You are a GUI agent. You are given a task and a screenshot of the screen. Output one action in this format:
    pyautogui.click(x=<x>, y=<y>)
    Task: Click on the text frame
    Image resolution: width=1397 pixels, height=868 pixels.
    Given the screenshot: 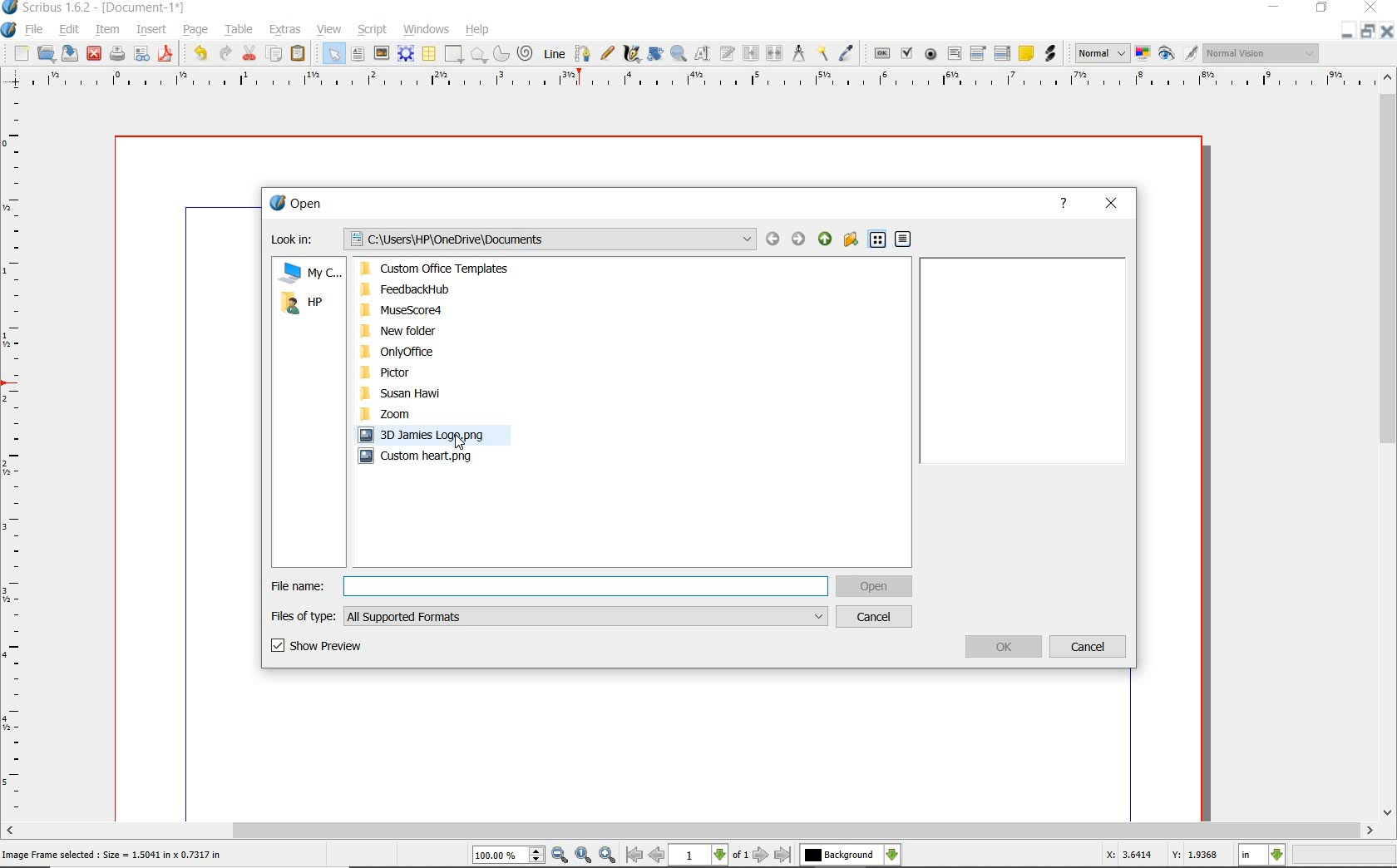 What is the action you would take?
    pyautogui.click(x=358, y=56)
    